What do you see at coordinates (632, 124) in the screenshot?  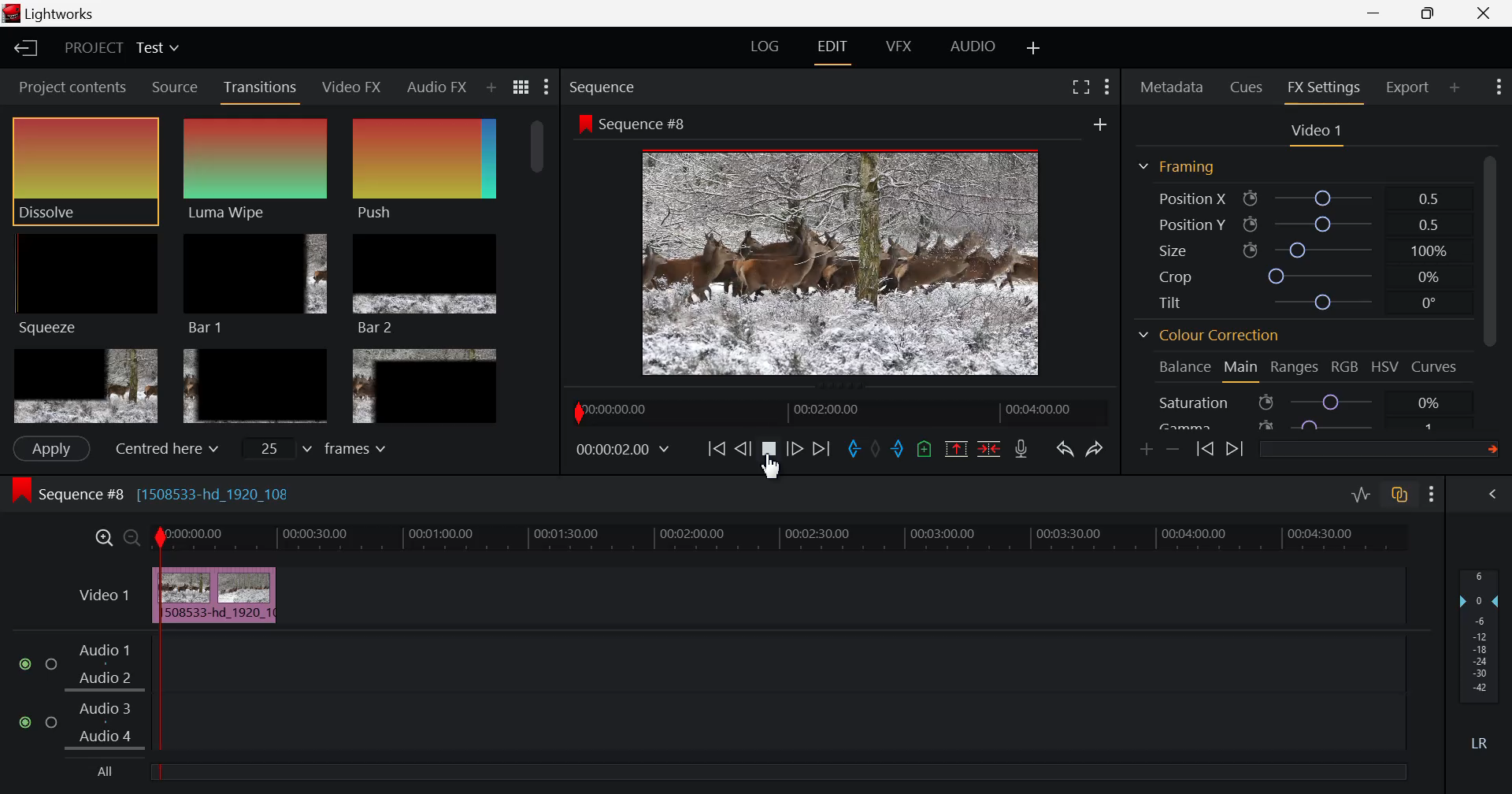 I see `Sequence #8` at bounding box center [632, 124].